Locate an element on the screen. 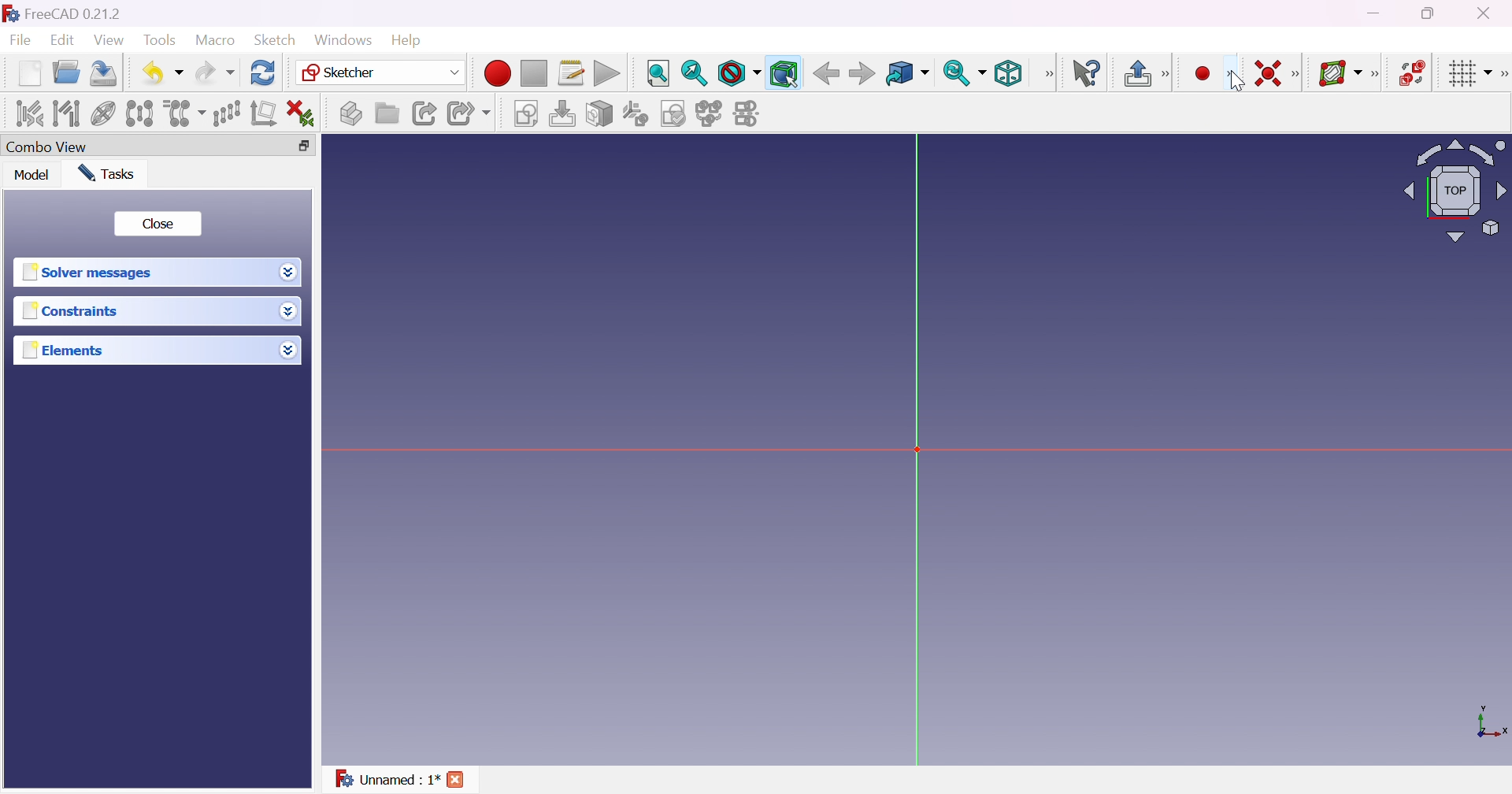  Refresh is located at coordinates (265, 72).